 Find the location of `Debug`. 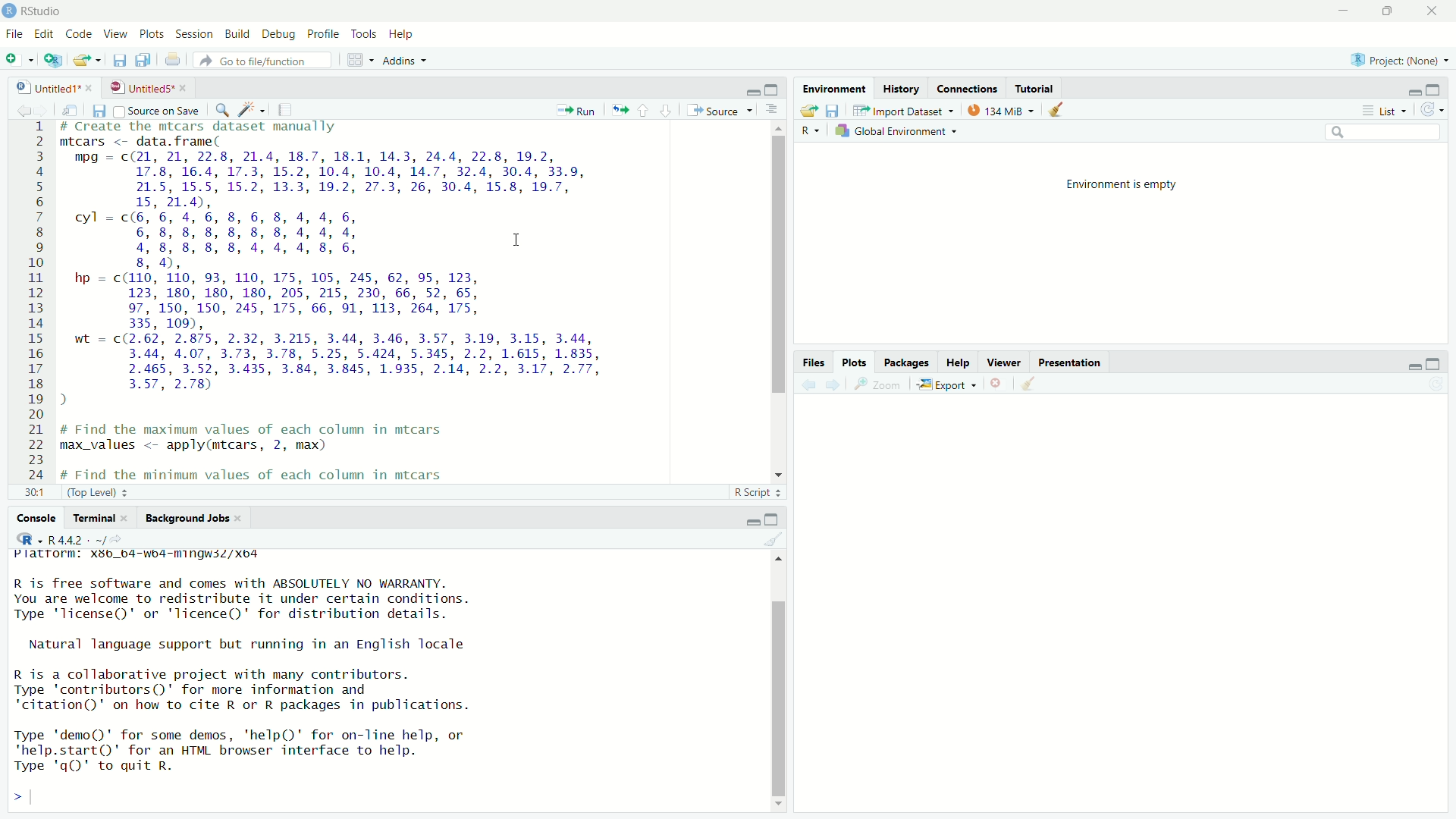

Debug is located at coordinates (278, 33).